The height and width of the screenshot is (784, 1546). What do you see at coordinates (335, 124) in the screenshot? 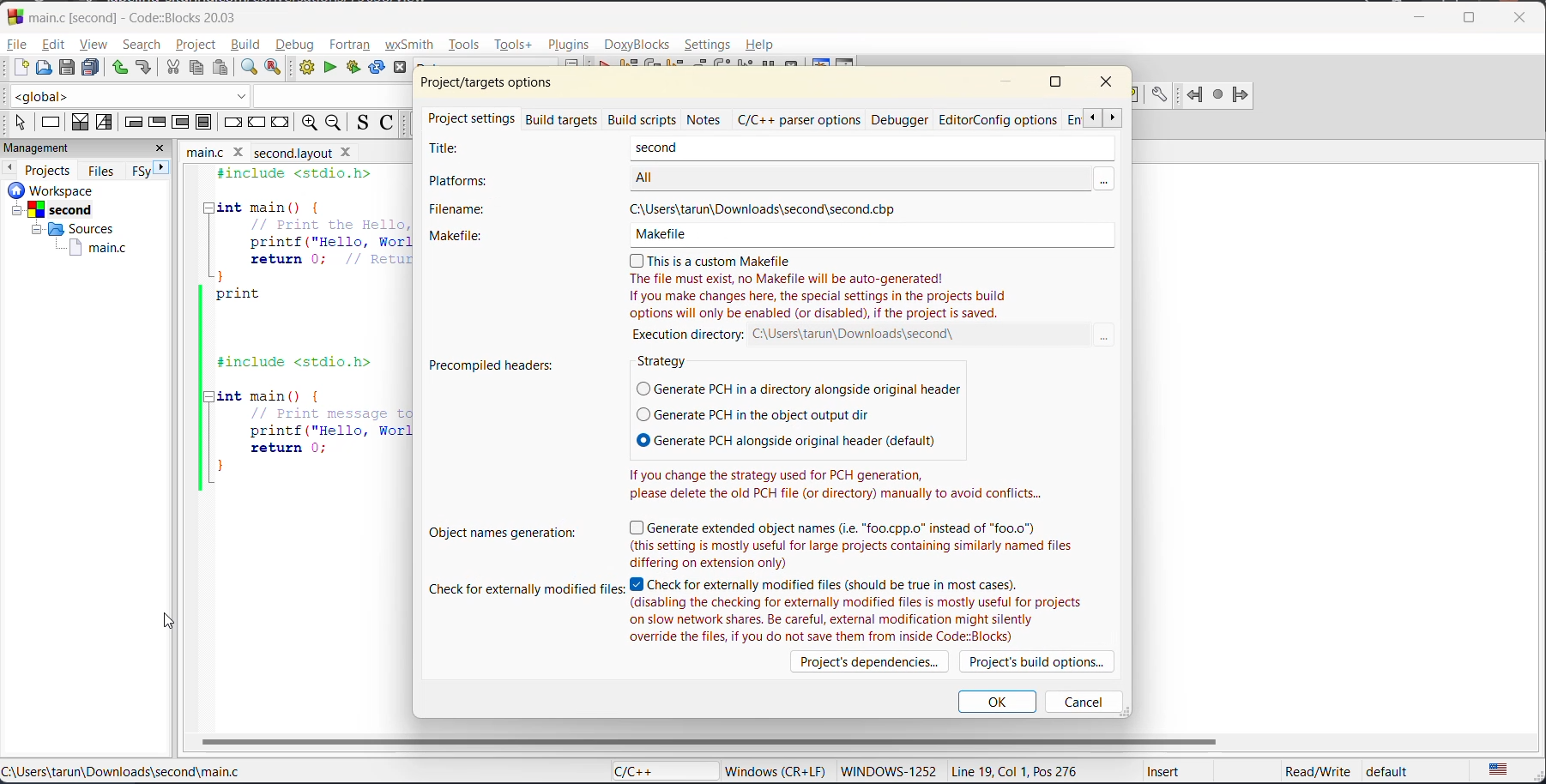
I see `zoom out` at bounding box center [335, 124].